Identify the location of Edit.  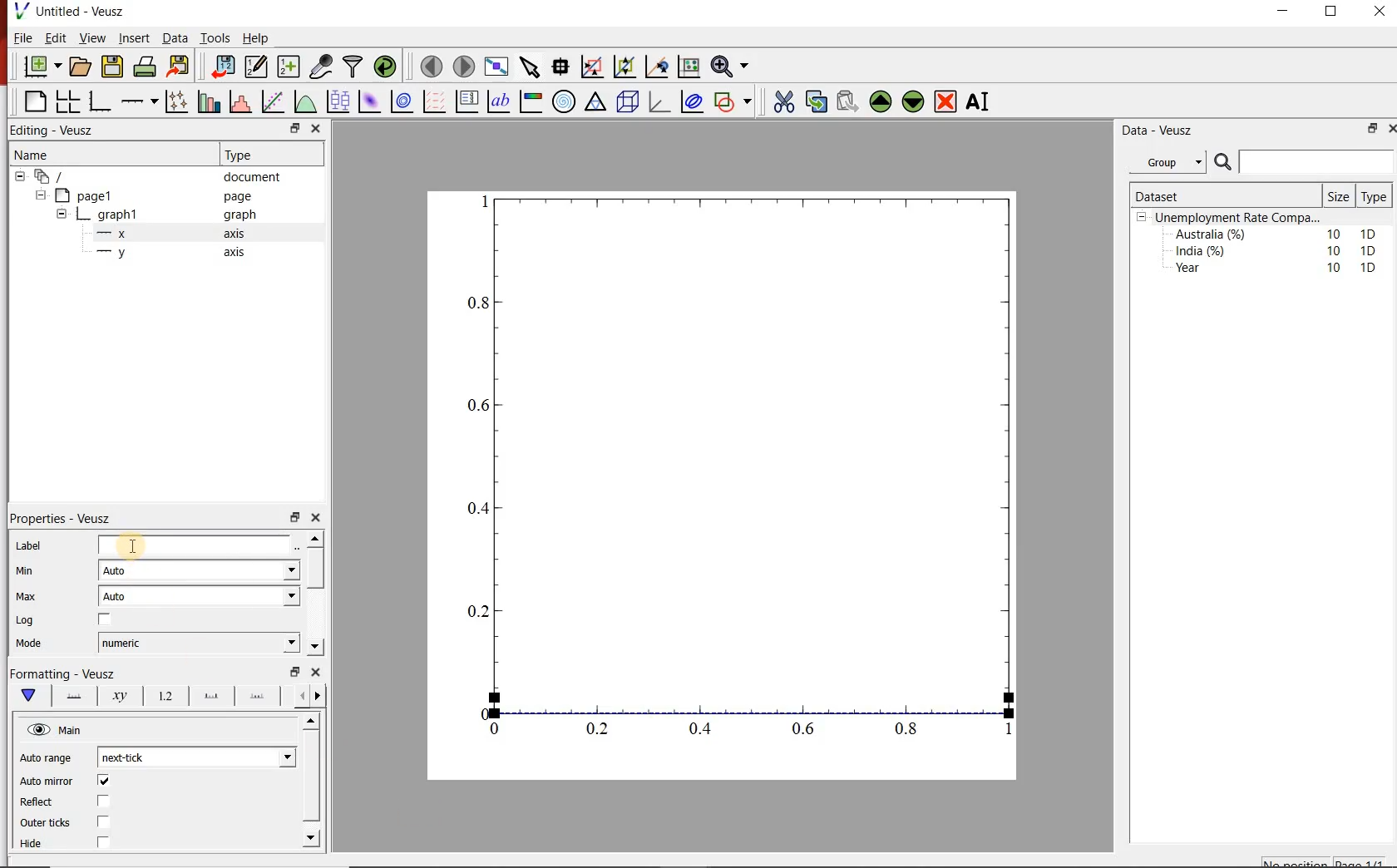
(53, 37).